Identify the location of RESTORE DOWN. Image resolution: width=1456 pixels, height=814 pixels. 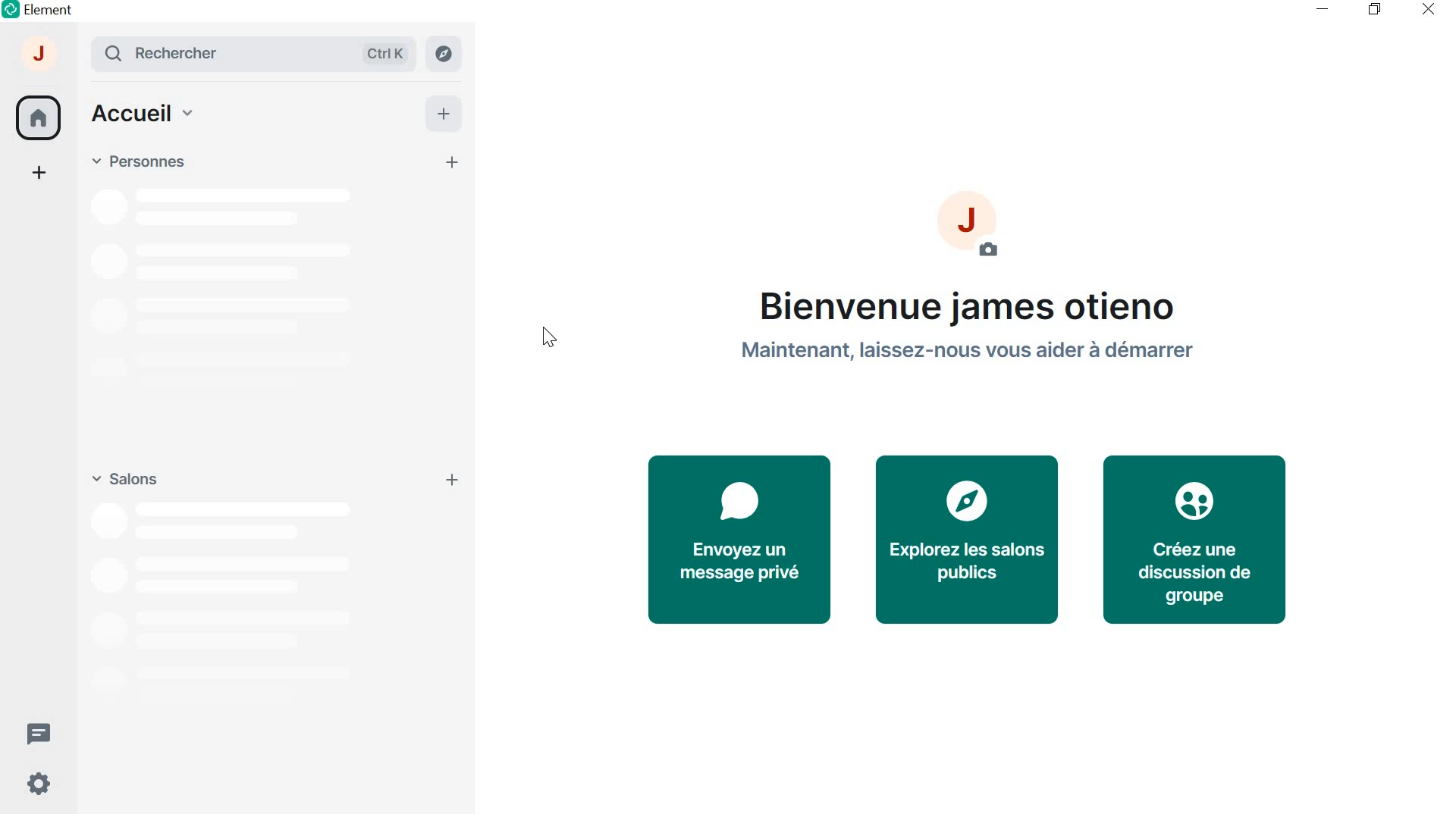
(1374, 10).